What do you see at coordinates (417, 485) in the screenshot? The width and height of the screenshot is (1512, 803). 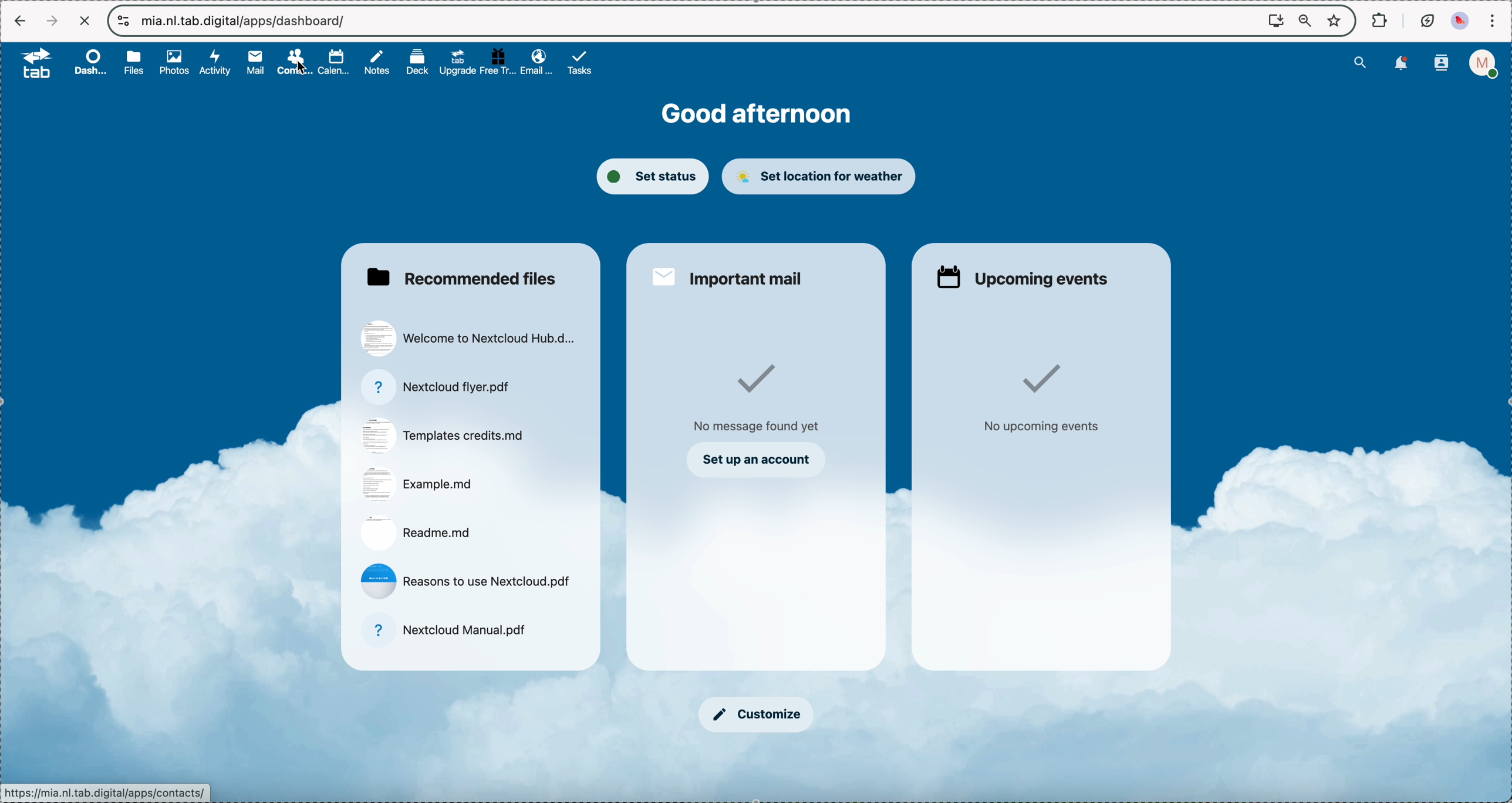 I see `file` at bounding box center [417, 485].